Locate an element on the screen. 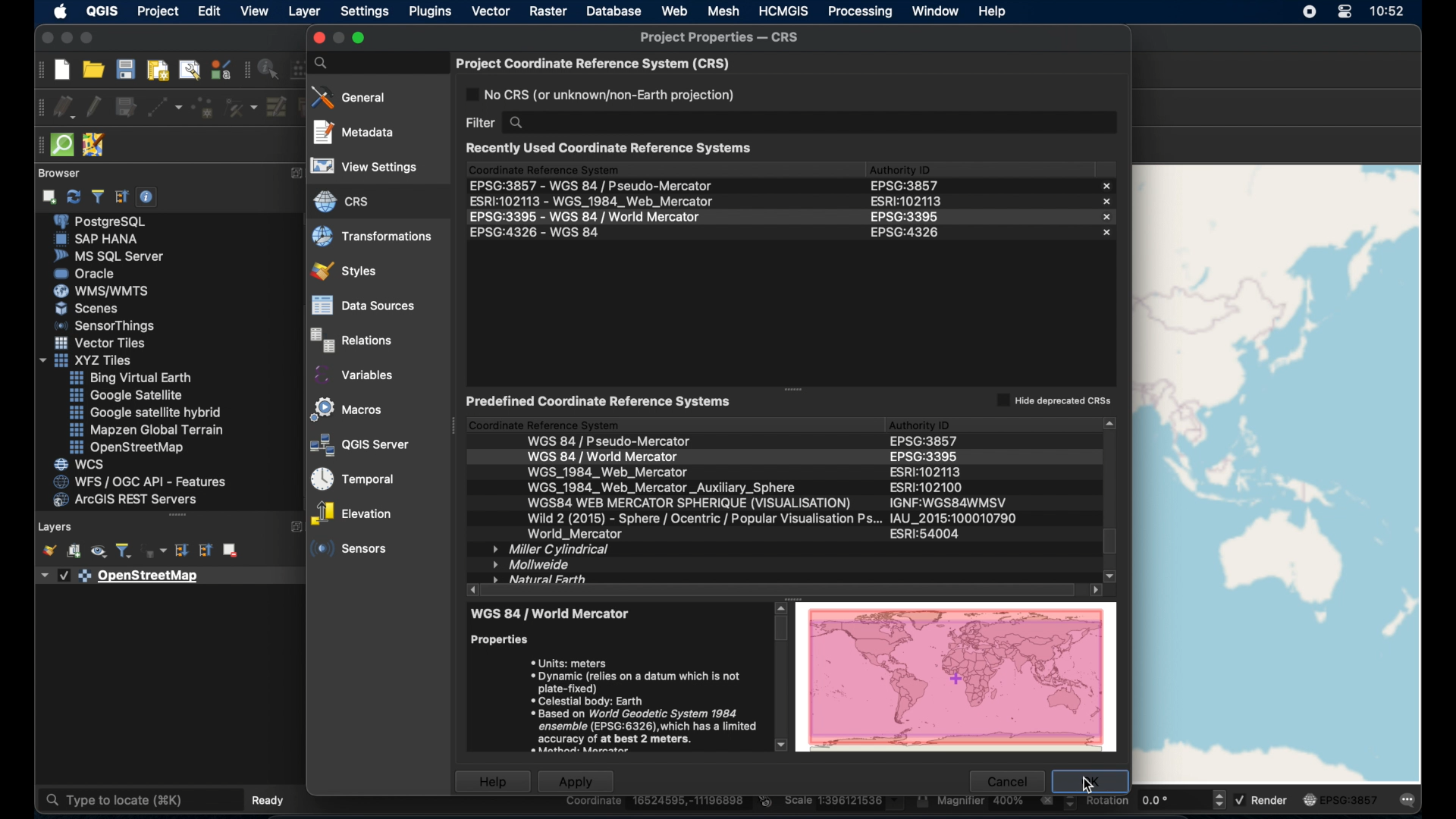  vertex tool is located at coordinates (243, 108).